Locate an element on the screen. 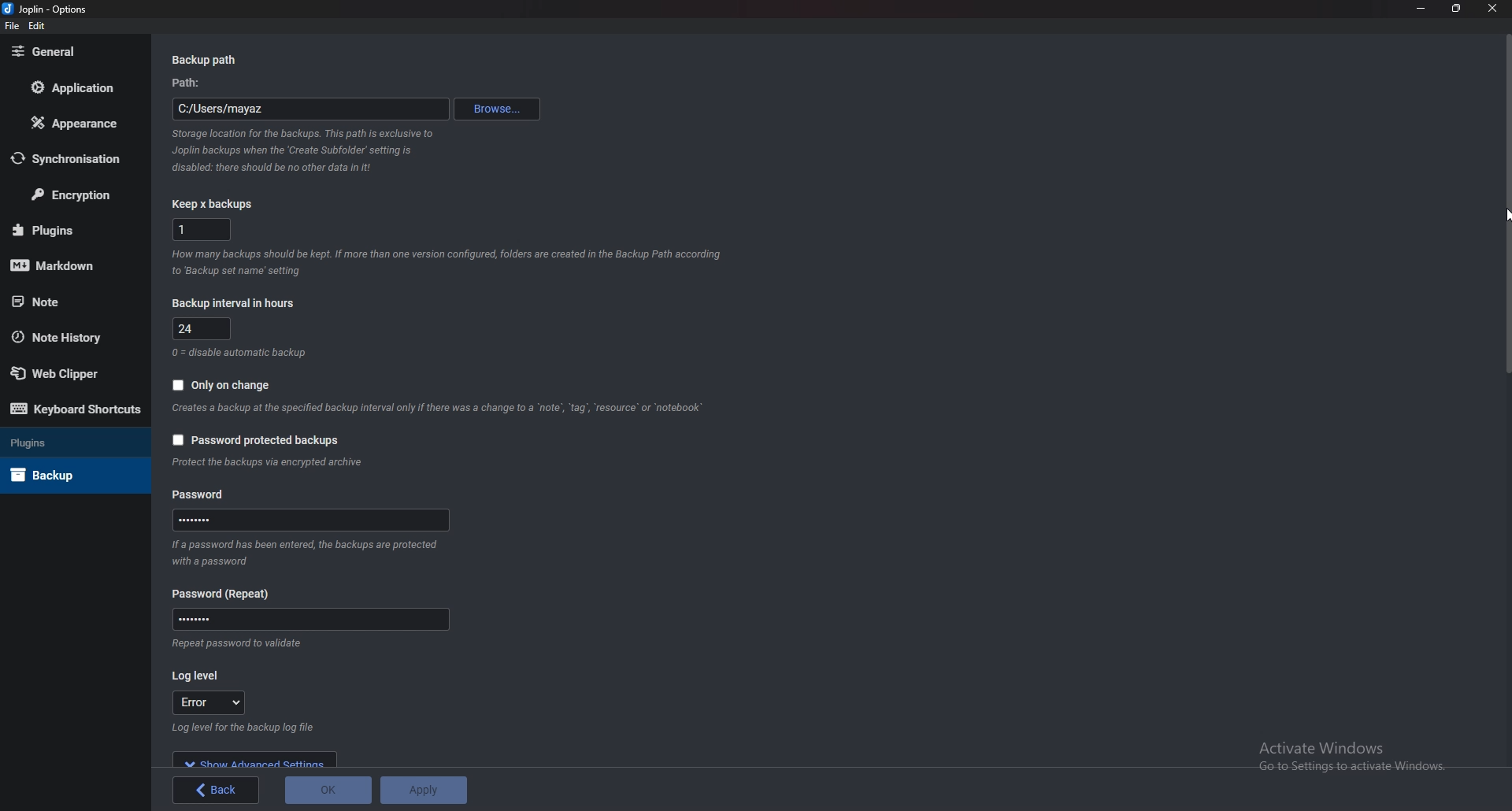  error is located at coordinates (207, 704).